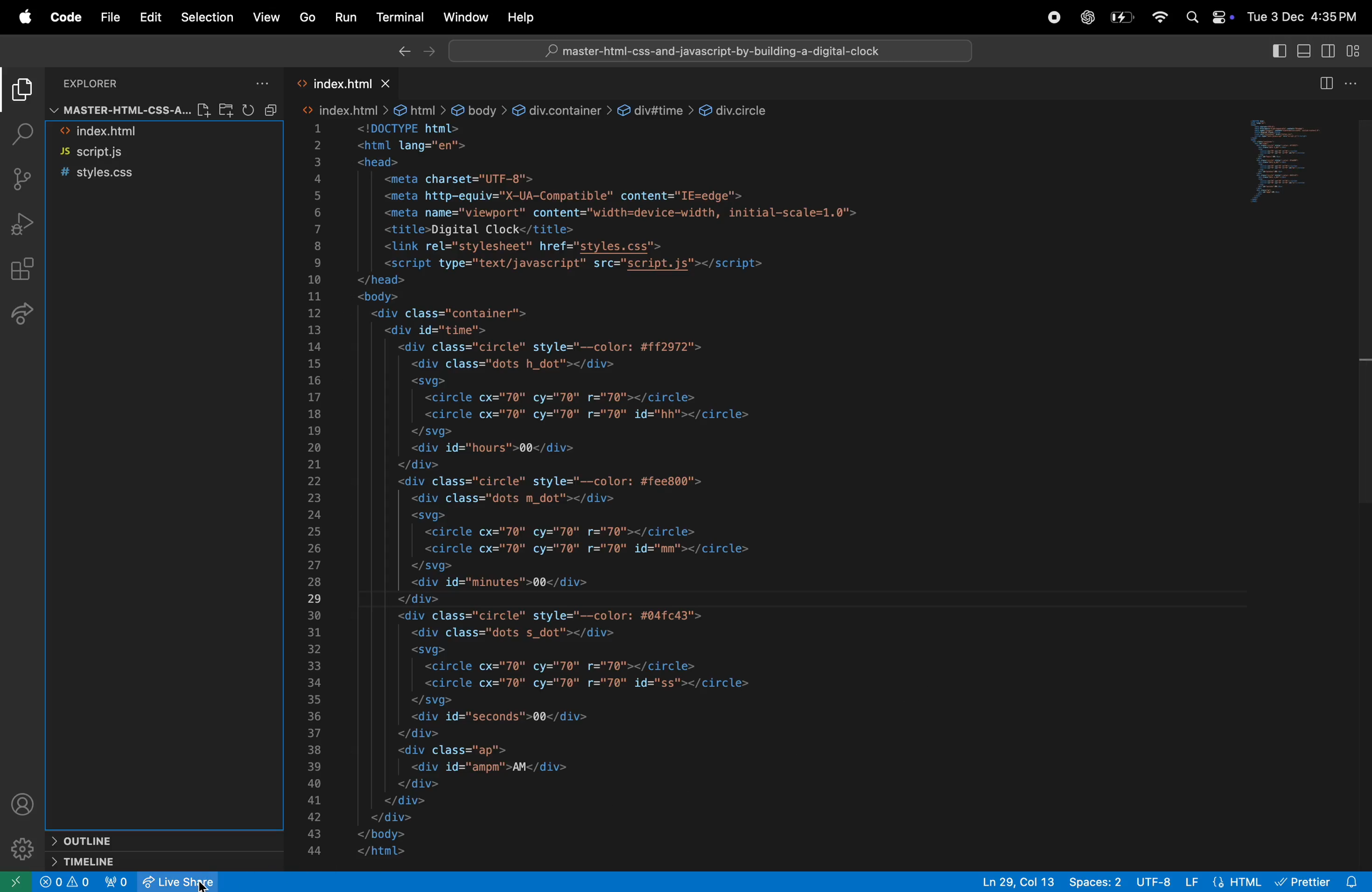 Image resolution: width=1372 pixels, height=892 pixels. What do you see at coordinates (107, 16) in the screenshot?
I see `file` at bounding box center [107, 16].